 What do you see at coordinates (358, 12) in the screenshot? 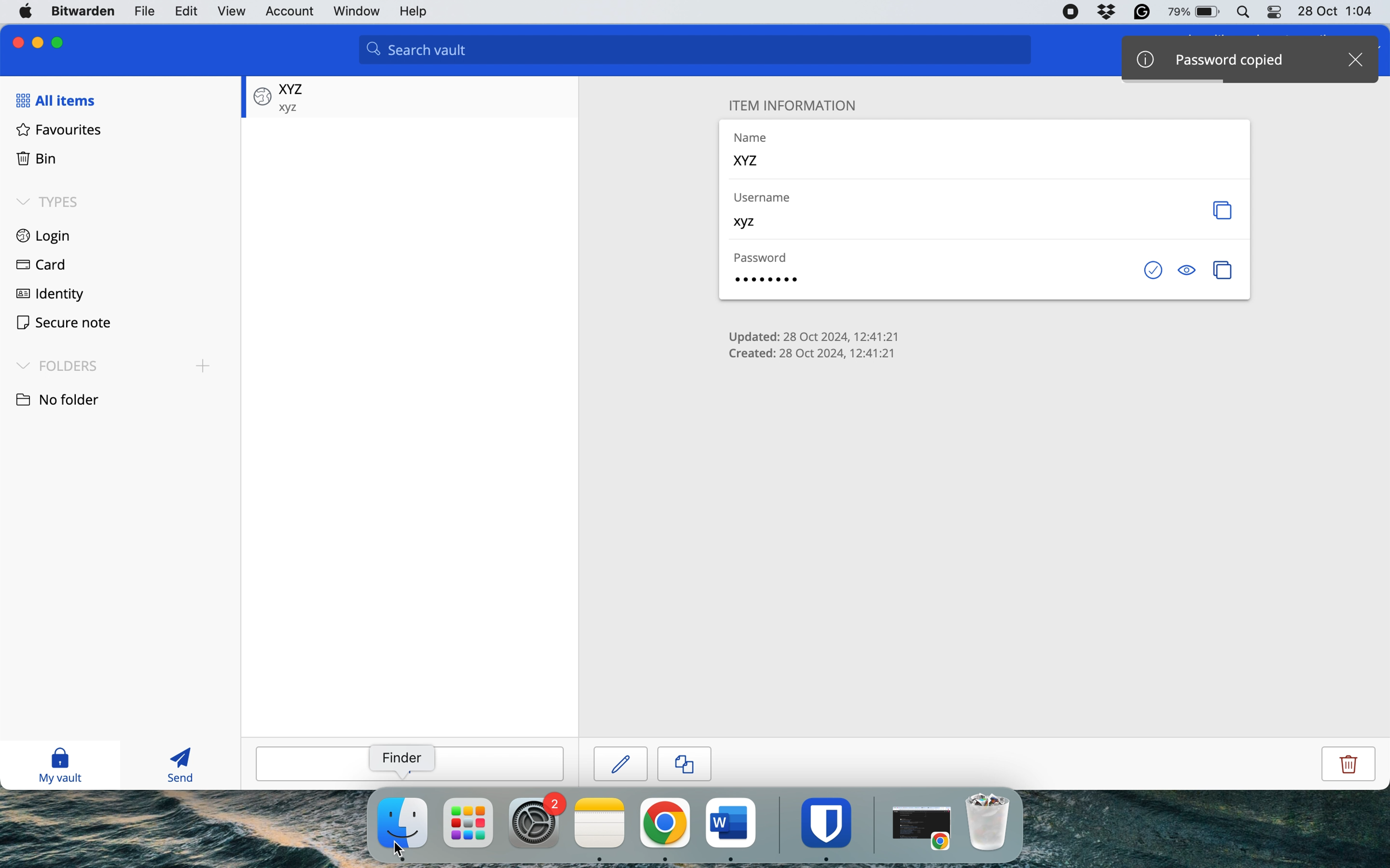
I see `window` at bounding box center [358, 12].